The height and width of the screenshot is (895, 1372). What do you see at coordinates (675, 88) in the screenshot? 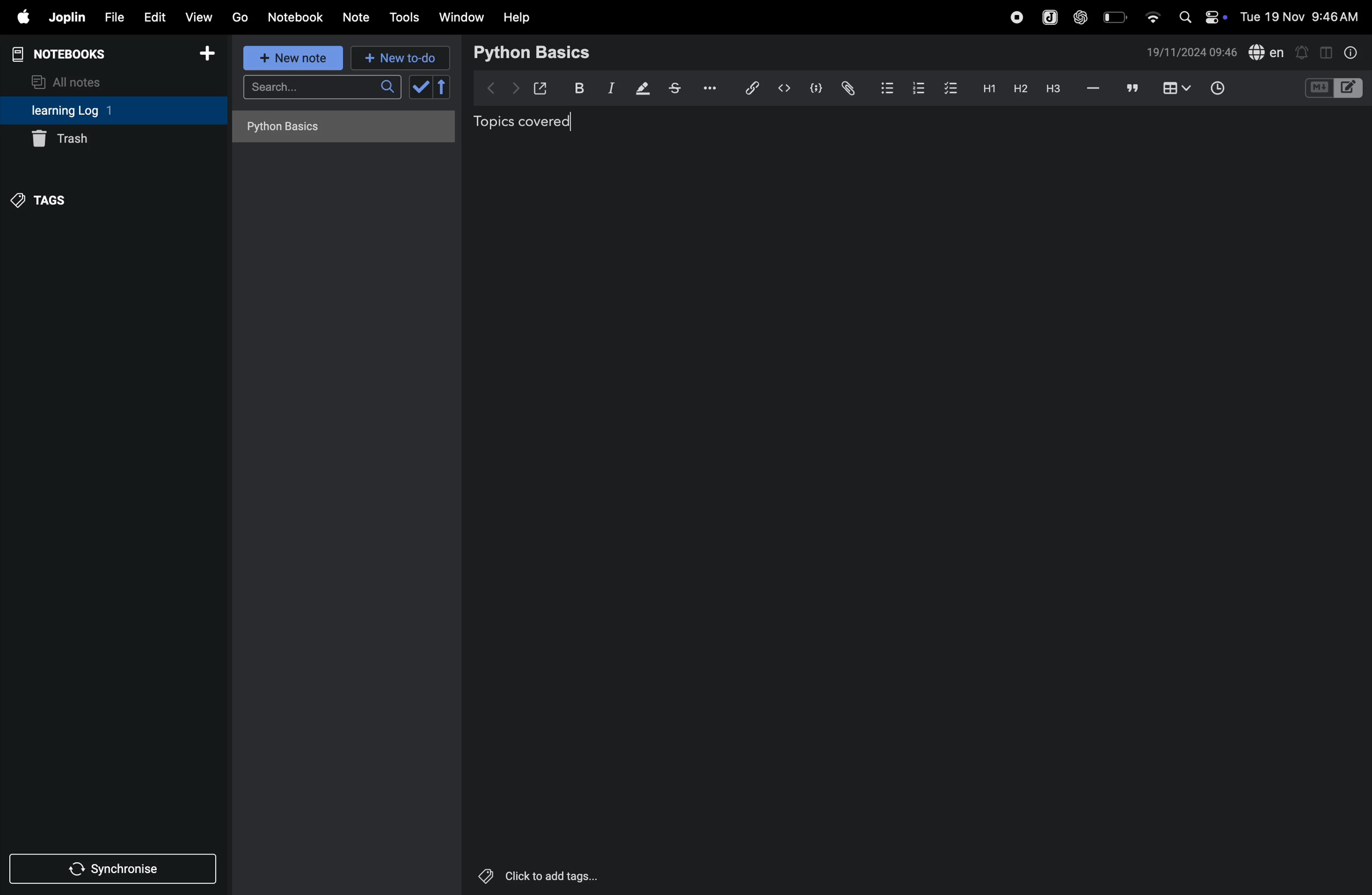
I see `strike through` at bounding box center [675, 88].